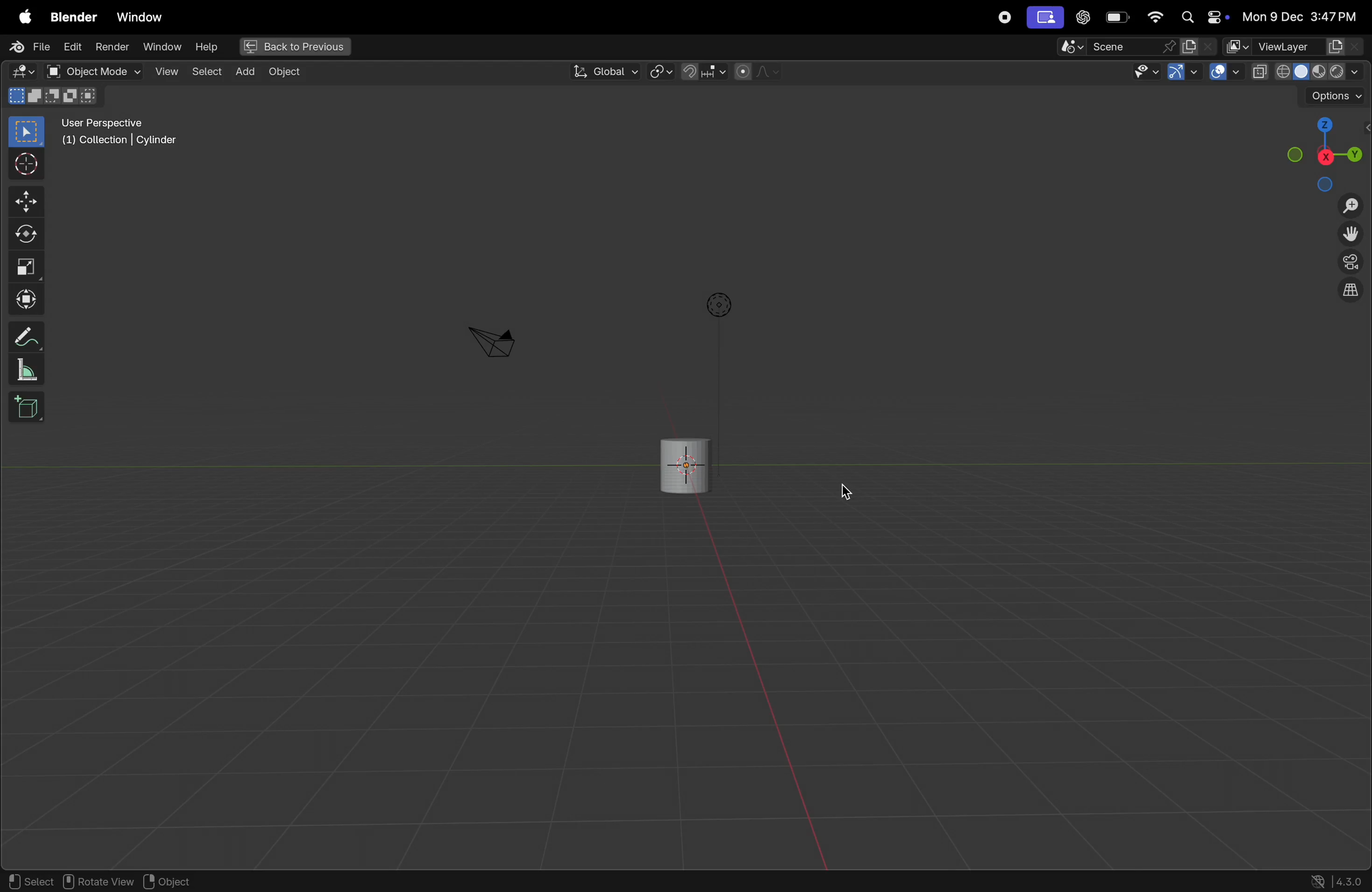  Describe the element at coordinates (73, 48) in the screenshot. I see `edit` at that location.